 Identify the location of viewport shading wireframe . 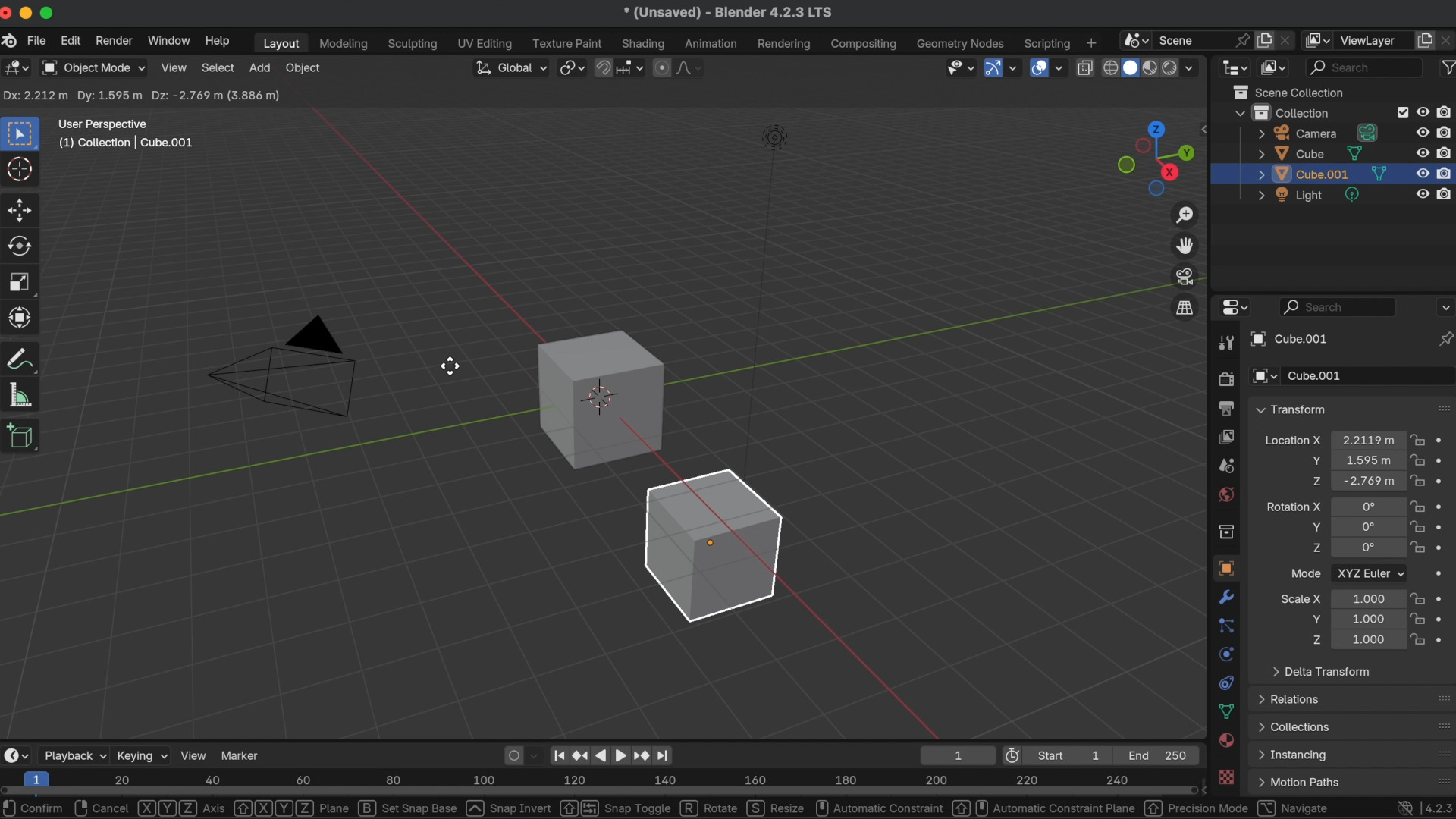
(1109, 68).